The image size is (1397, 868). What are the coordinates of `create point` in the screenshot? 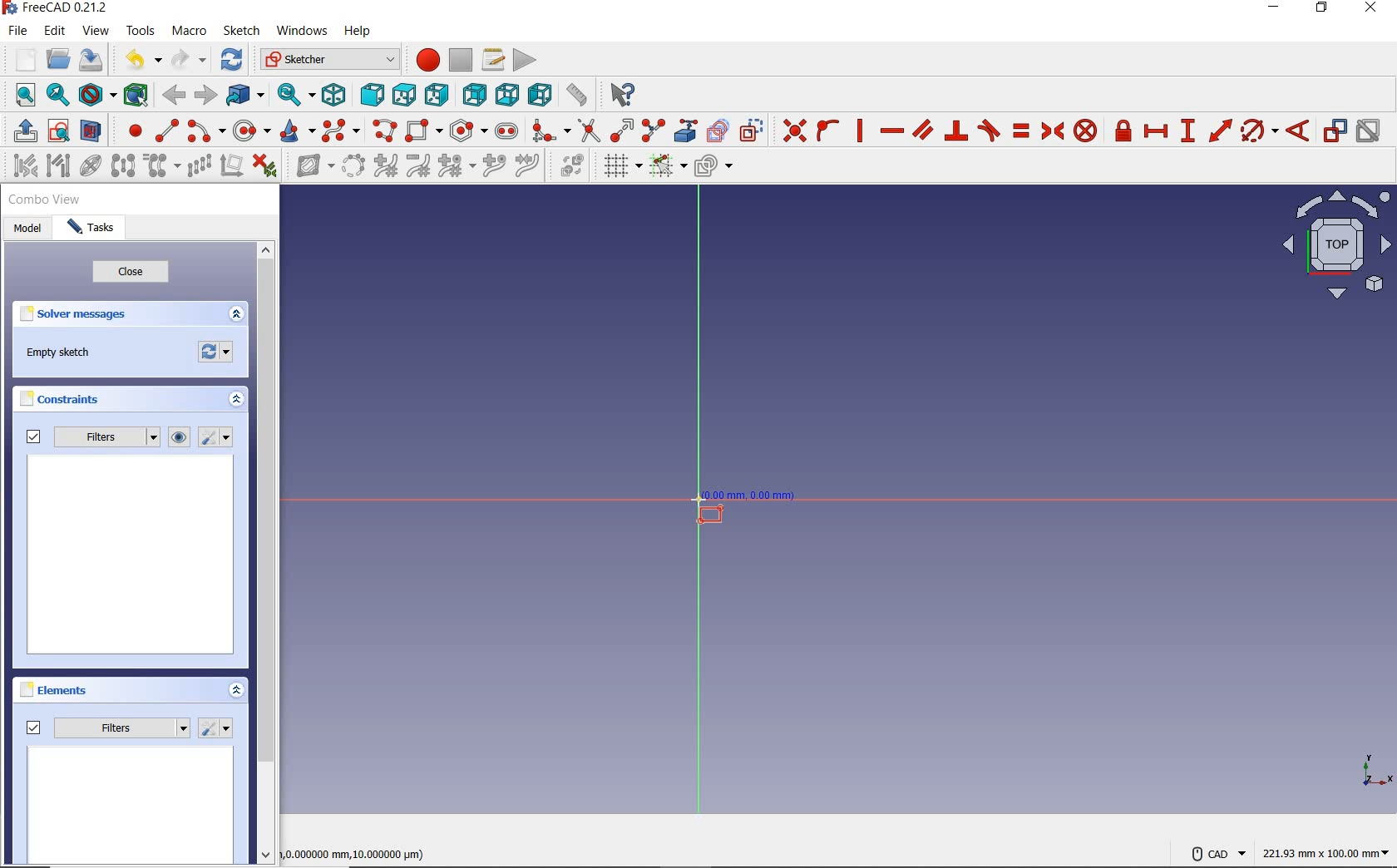 It's located at (132, 131).